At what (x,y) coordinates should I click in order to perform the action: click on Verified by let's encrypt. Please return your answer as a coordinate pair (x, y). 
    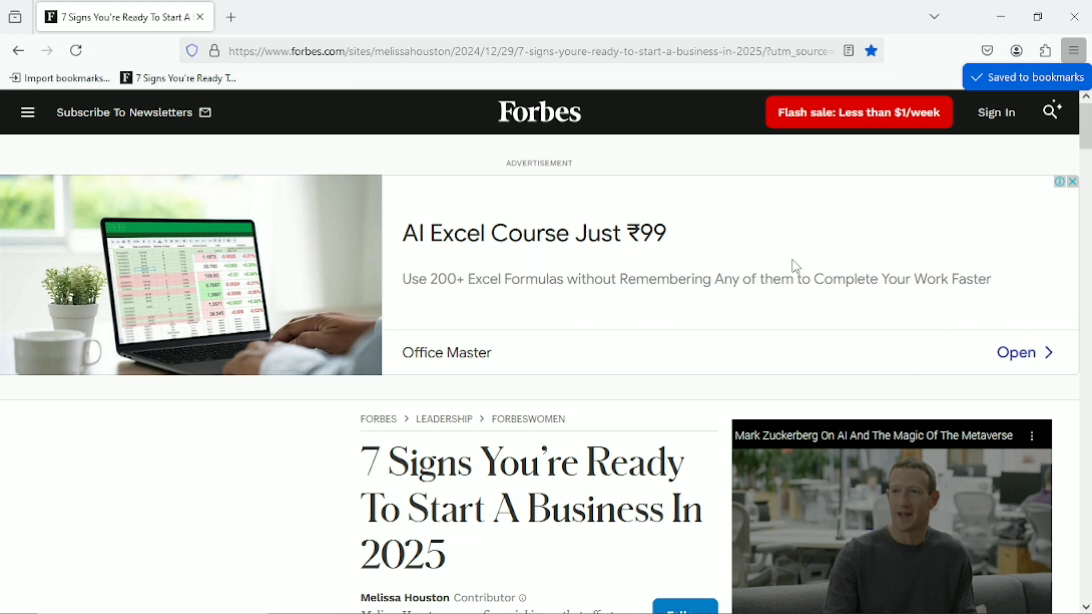
    Looking at the image, I should click on (214, 51).